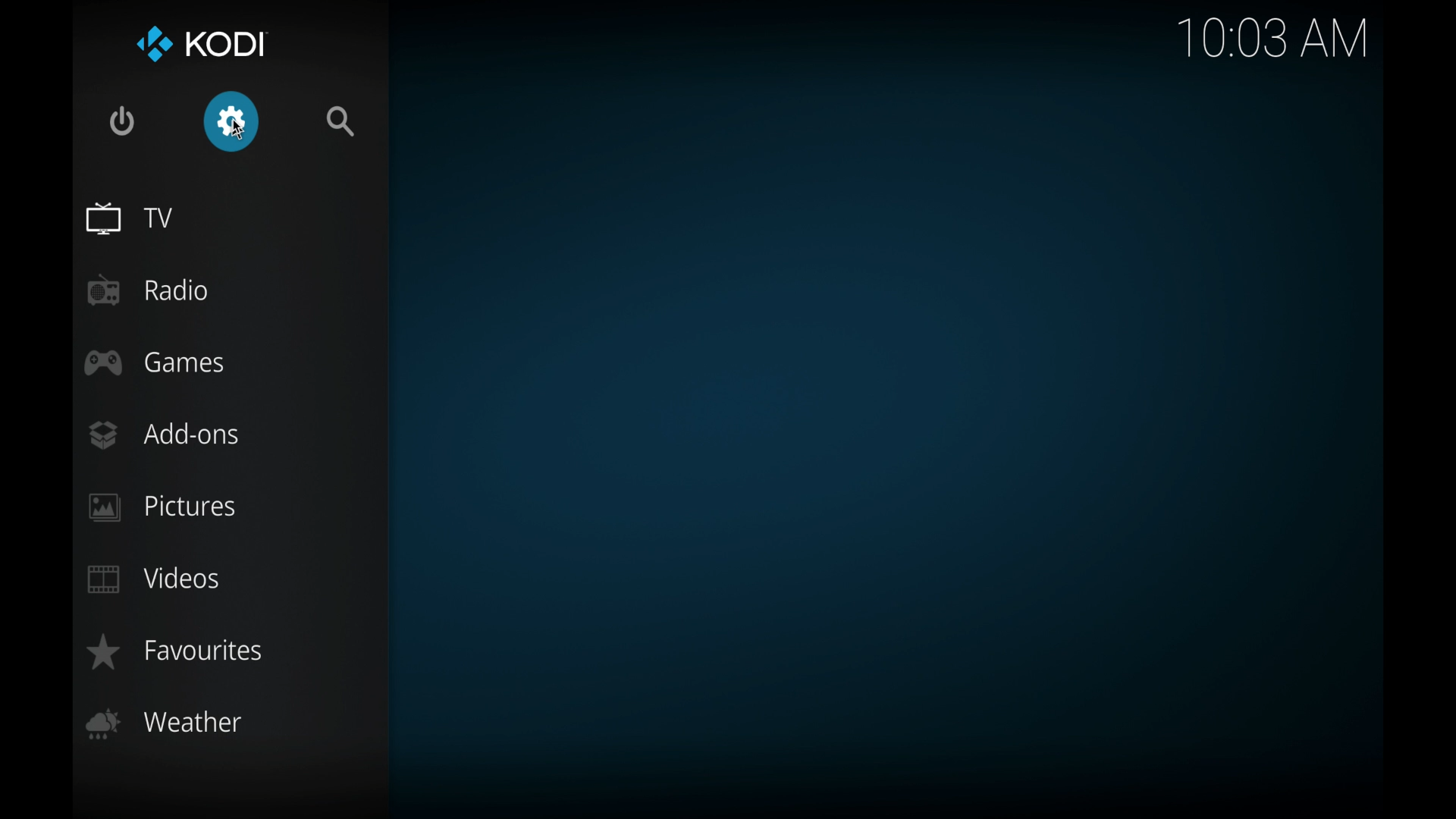 Image resolution: width=1456 pixels, height=819 pixels. Describe the element at coordinates (163, 506) in the screenshot. I see `pictures` at that location.